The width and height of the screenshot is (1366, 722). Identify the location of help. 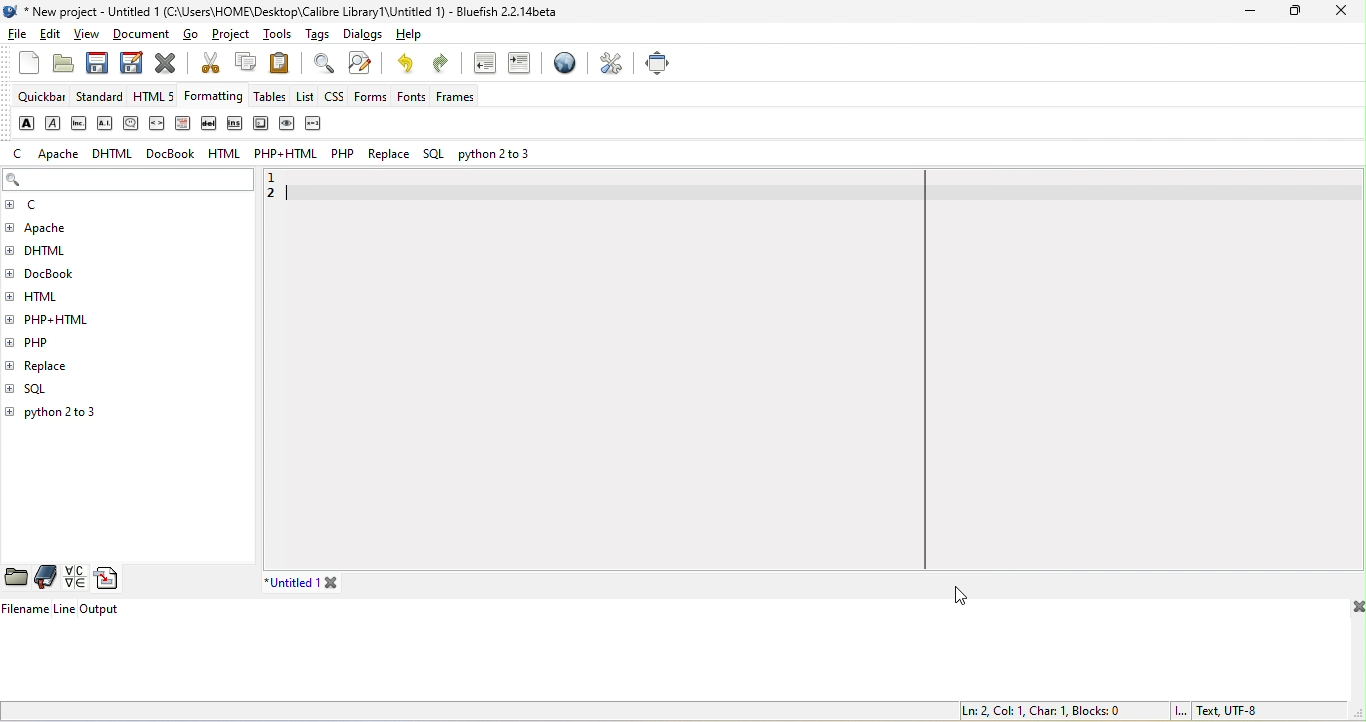
(405, 37).